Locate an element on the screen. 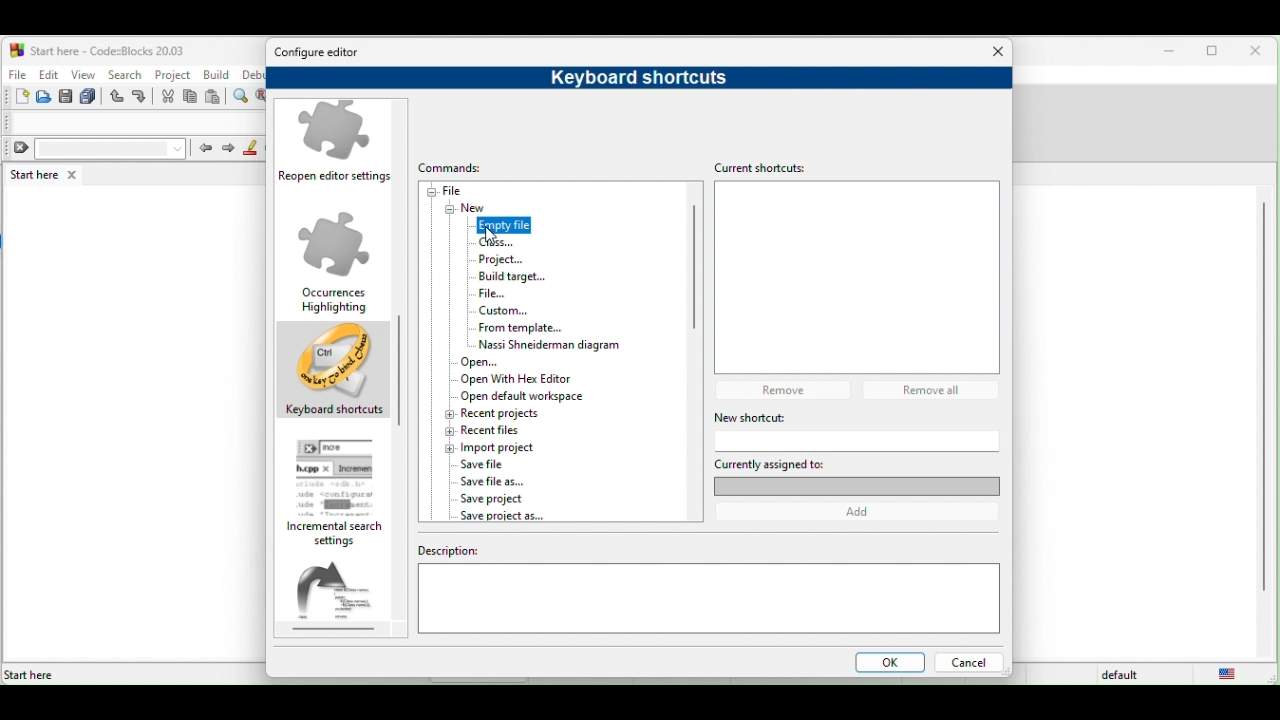  nassi shneiderman diagram is located at coordinates (544, 344).